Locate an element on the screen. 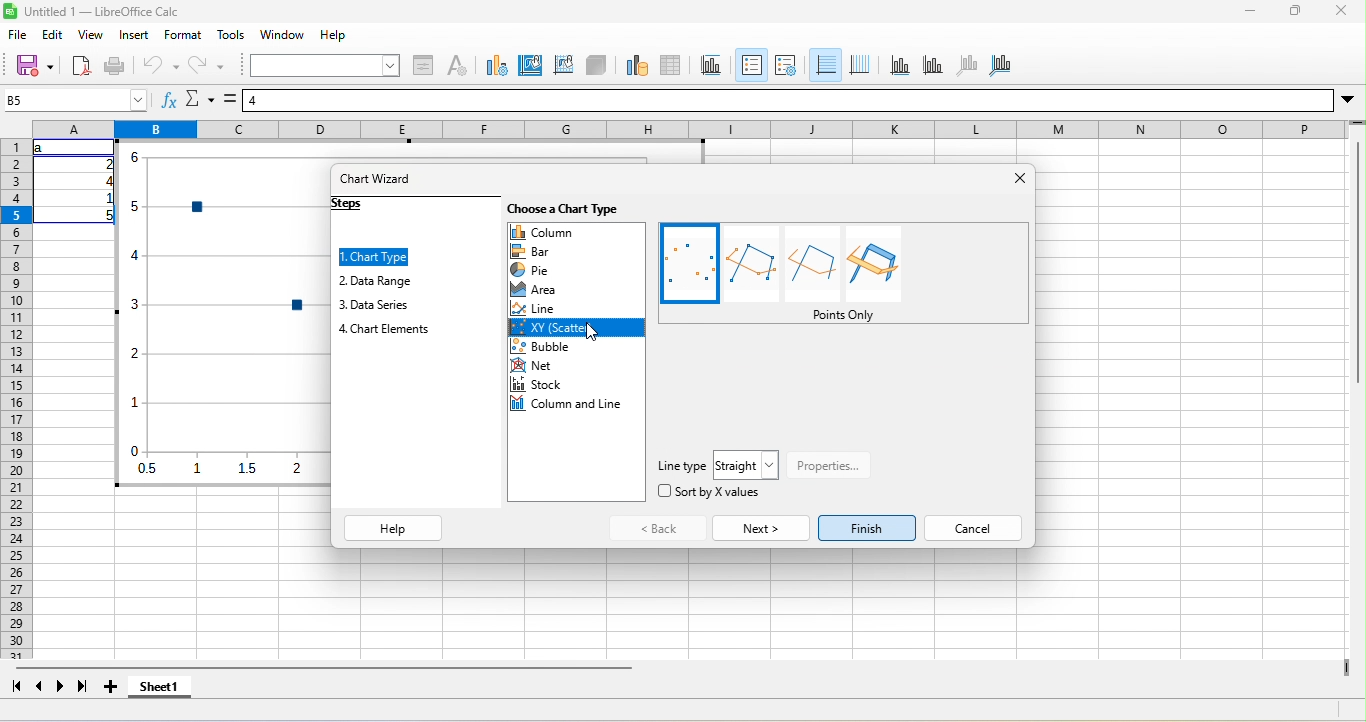 This screenshot has width=1366, height=722. tools is located at coordinates (231, 35).